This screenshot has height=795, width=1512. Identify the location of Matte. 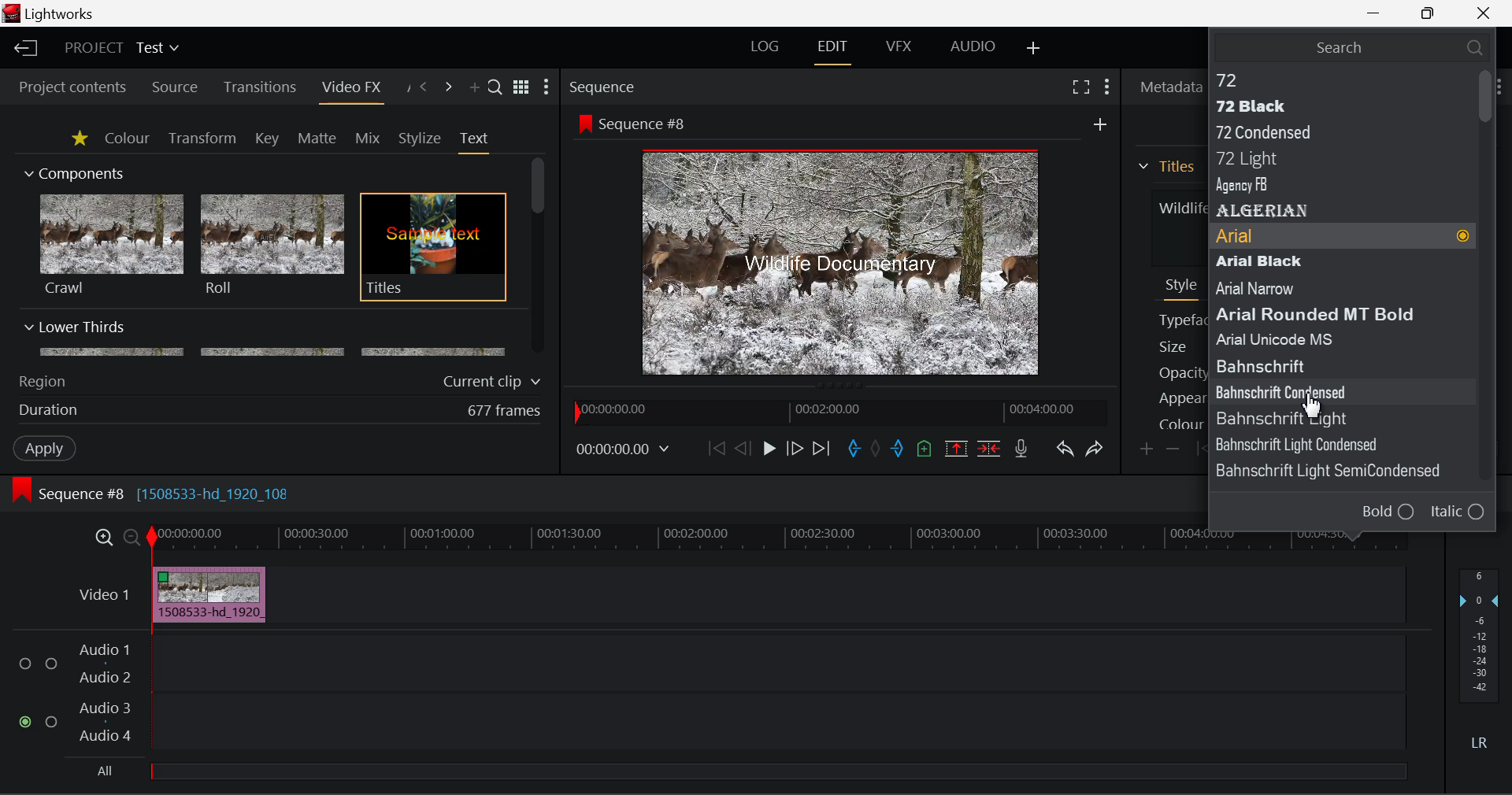
(316, 138).